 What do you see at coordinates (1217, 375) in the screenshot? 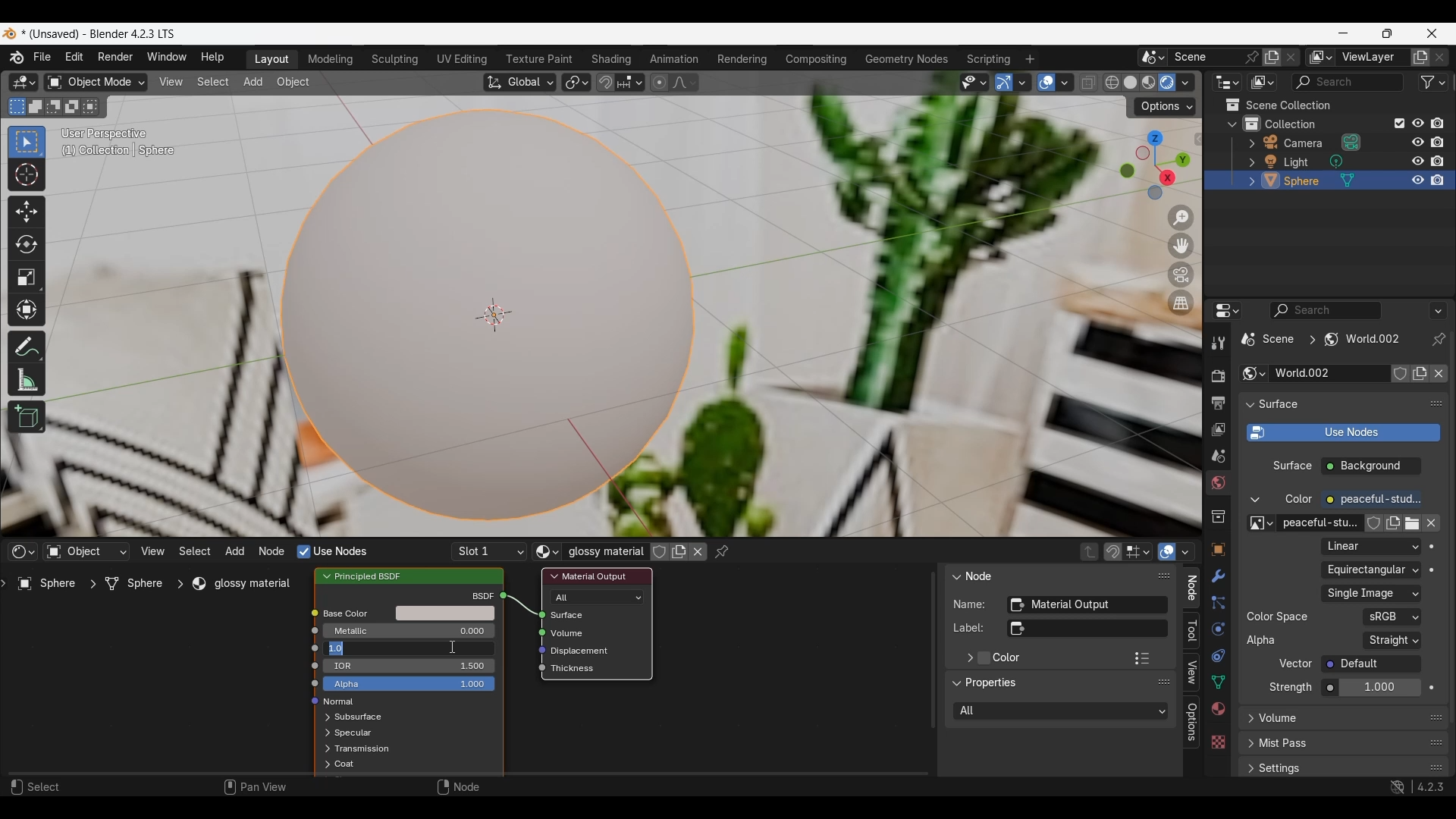
I see `Render properties` at bounding box center [1217, 375].